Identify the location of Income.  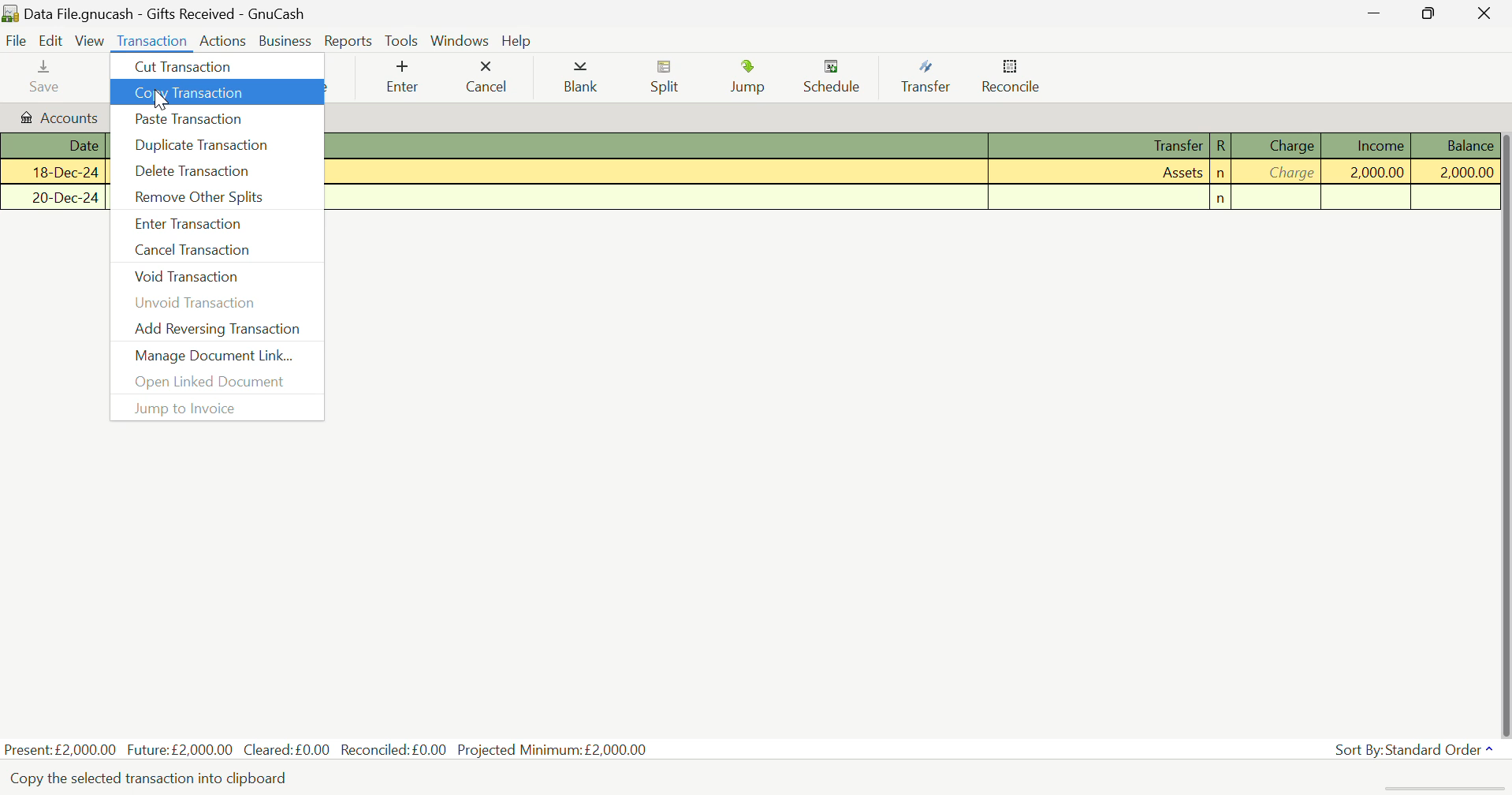
(1369, 198).